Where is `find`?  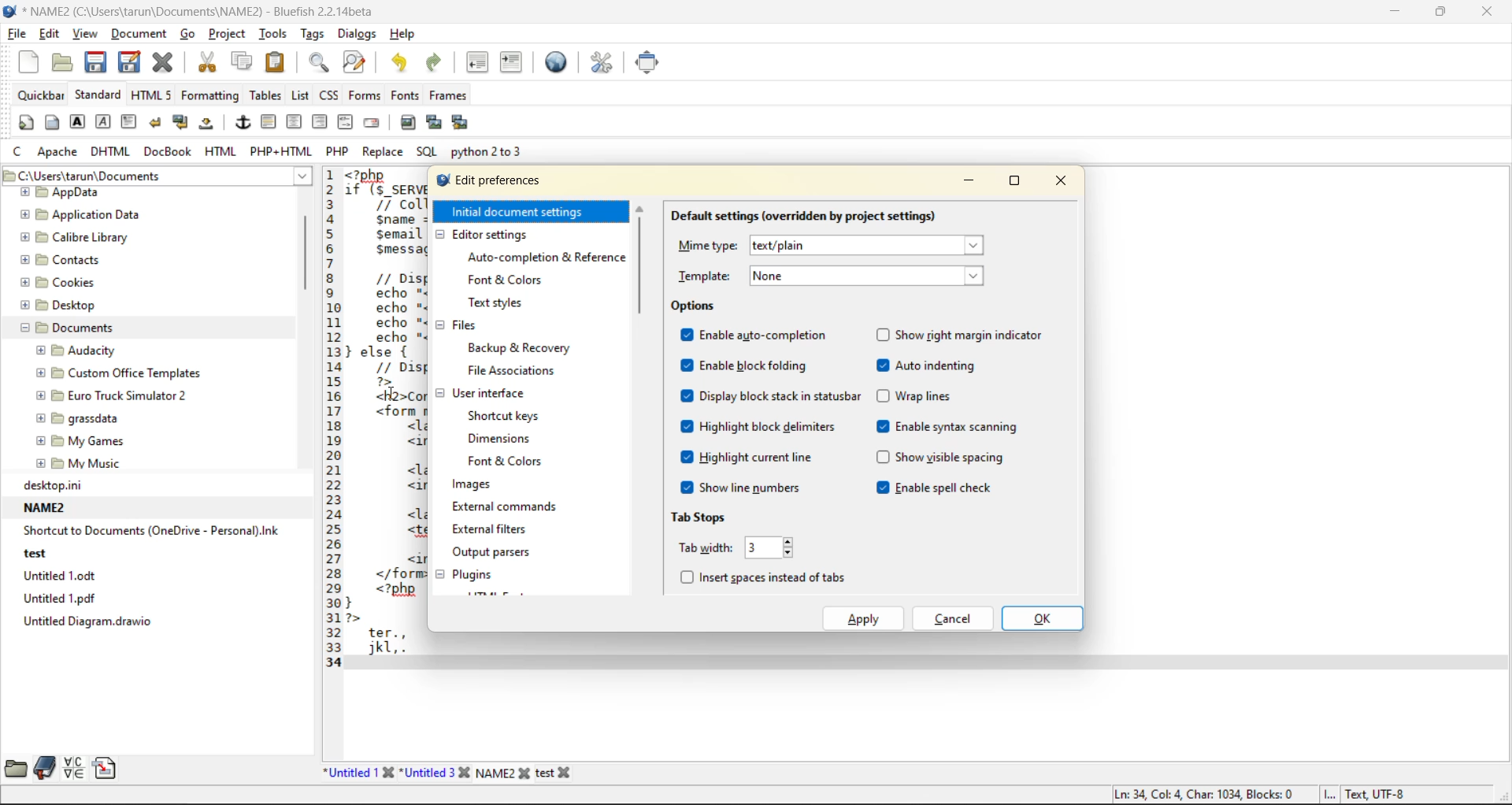
find is located at coordinates (317, 65).